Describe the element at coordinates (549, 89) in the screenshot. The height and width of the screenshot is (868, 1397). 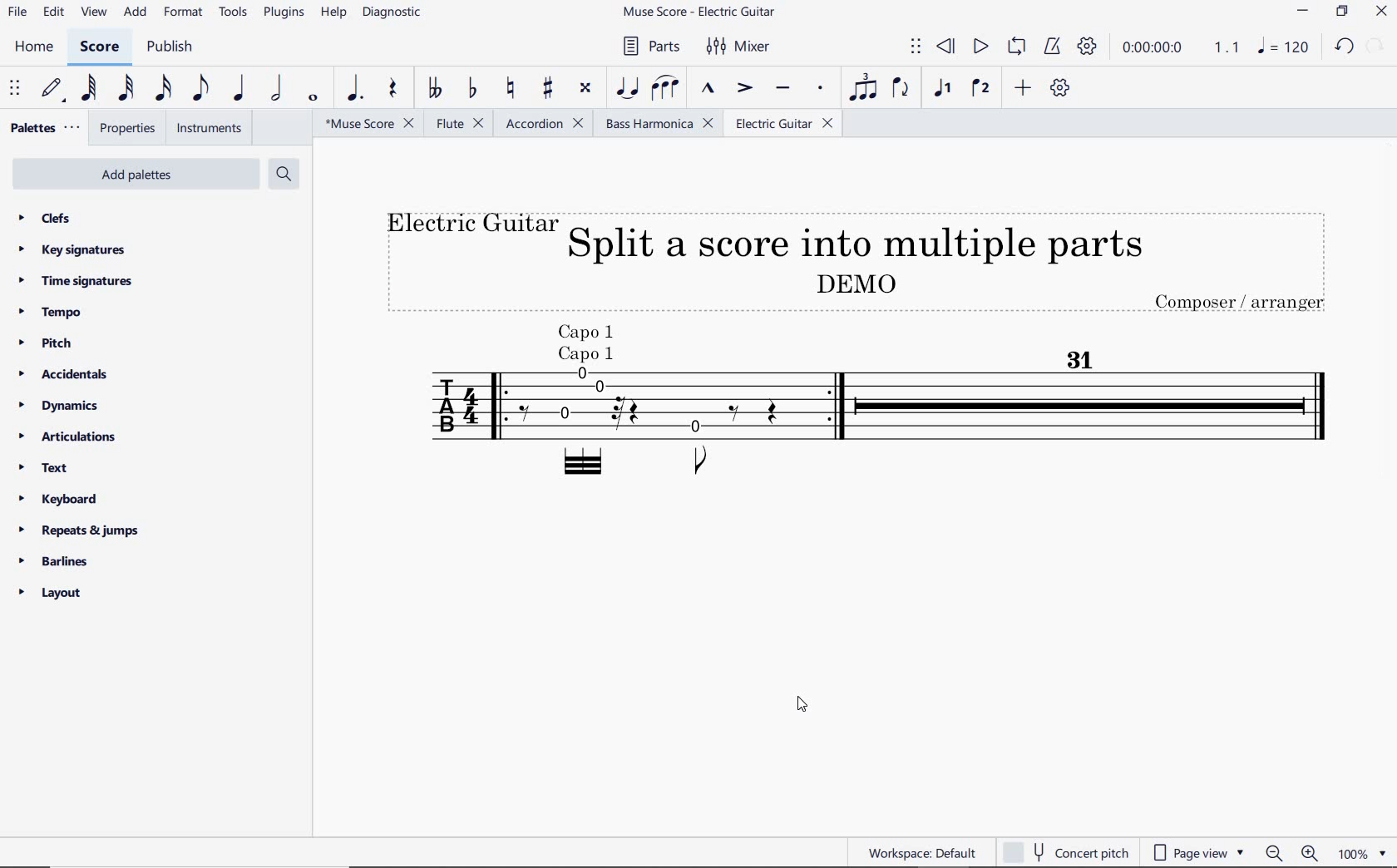
I see `toggle sharp` at that location.